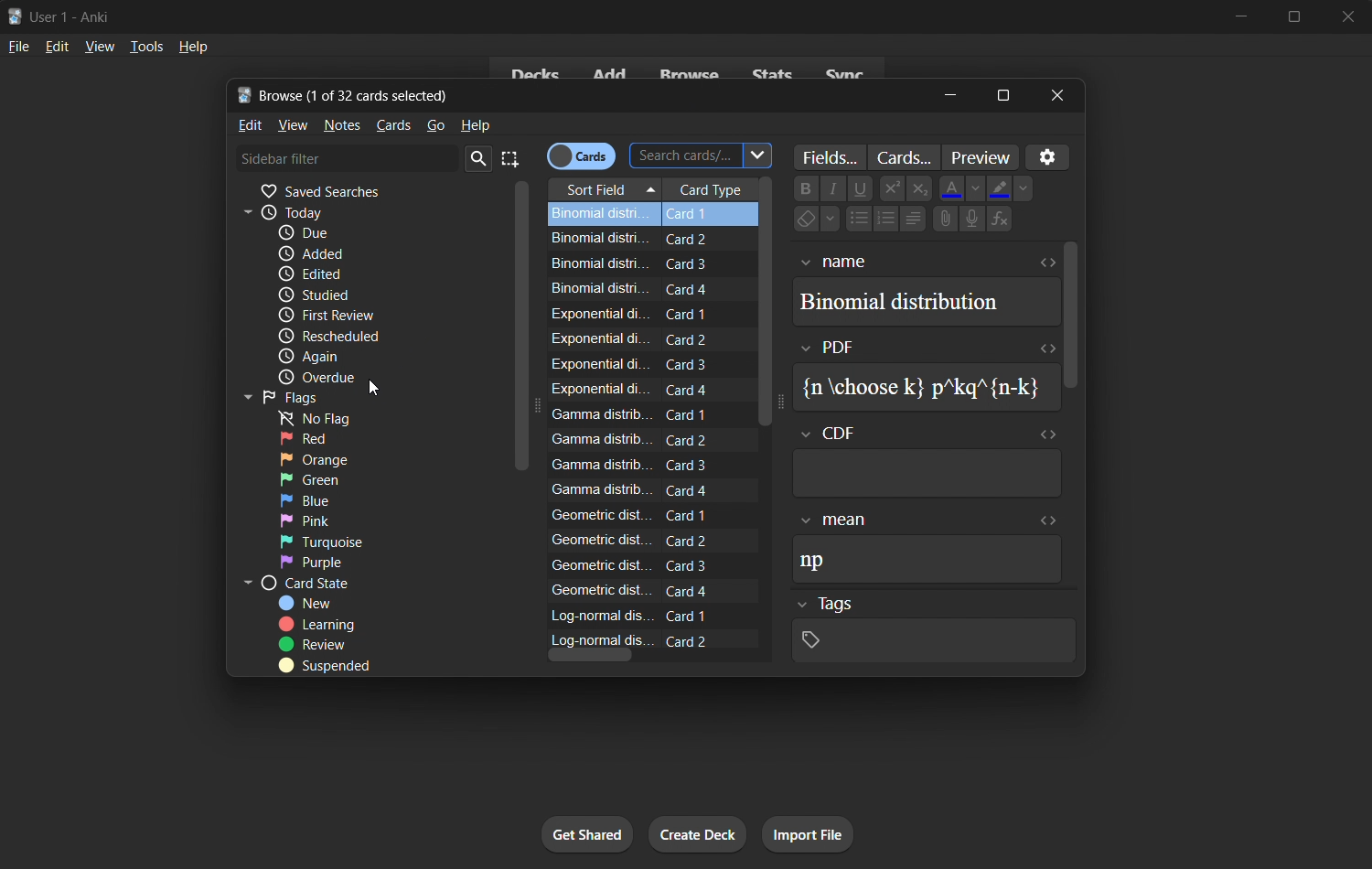 This screenshot has height=869, width=1372. Describe the element at coordinates (701, 414) in the screenshot. I see `Card 1` at that location.